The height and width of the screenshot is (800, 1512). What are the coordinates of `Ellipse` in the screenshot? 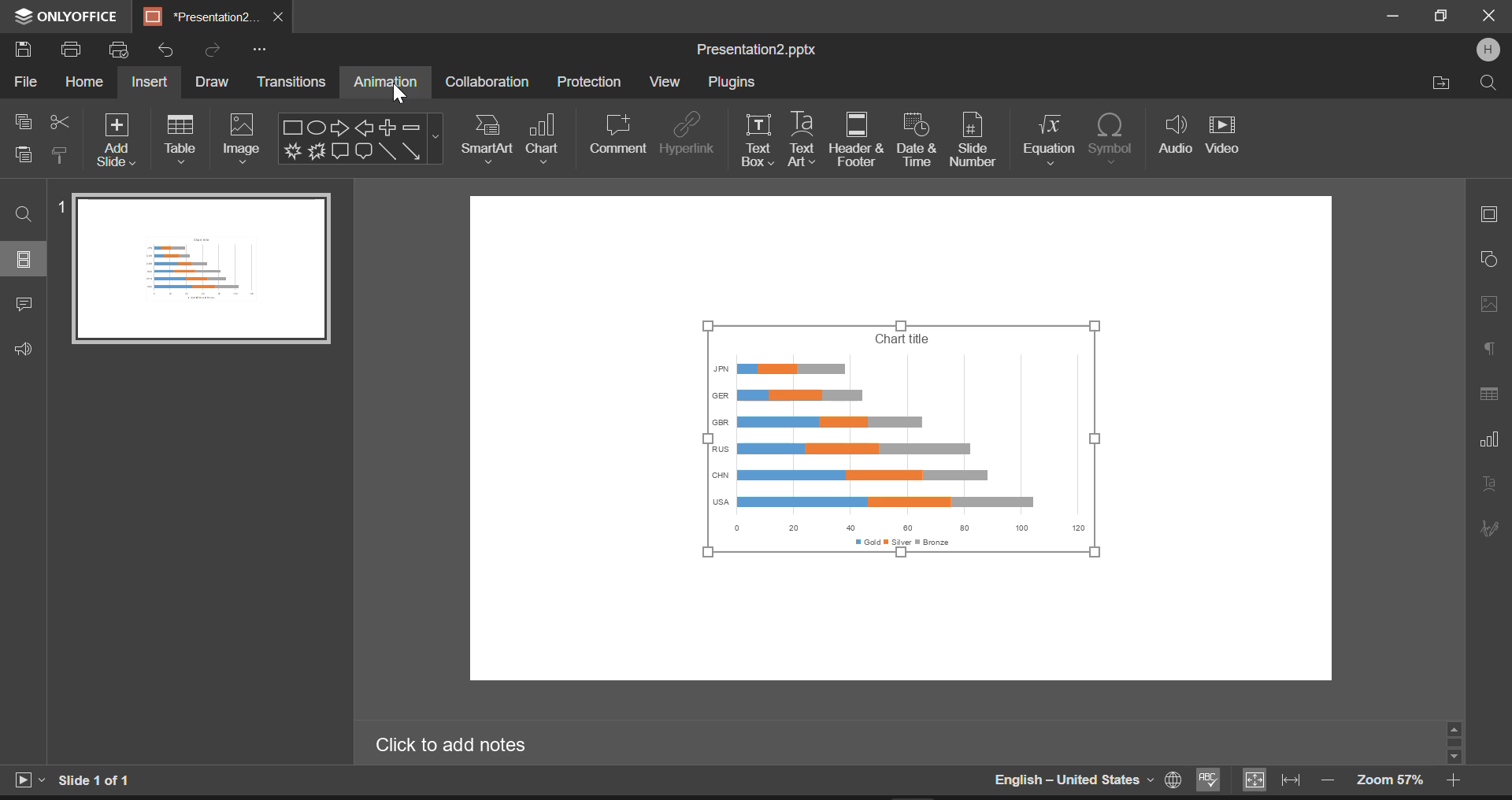 It's located at (316, 127).